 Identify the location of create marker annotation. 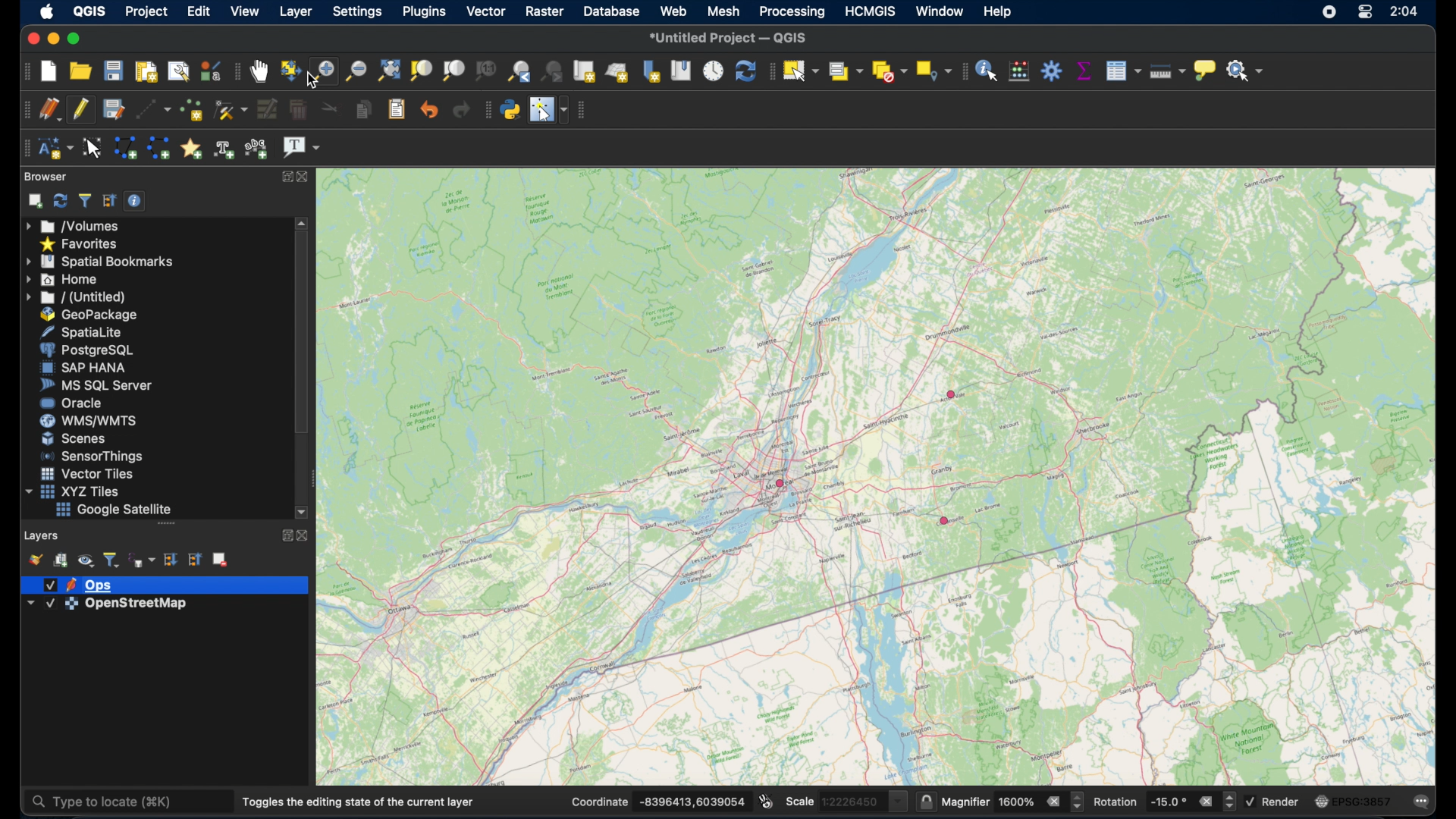
(190, 147).